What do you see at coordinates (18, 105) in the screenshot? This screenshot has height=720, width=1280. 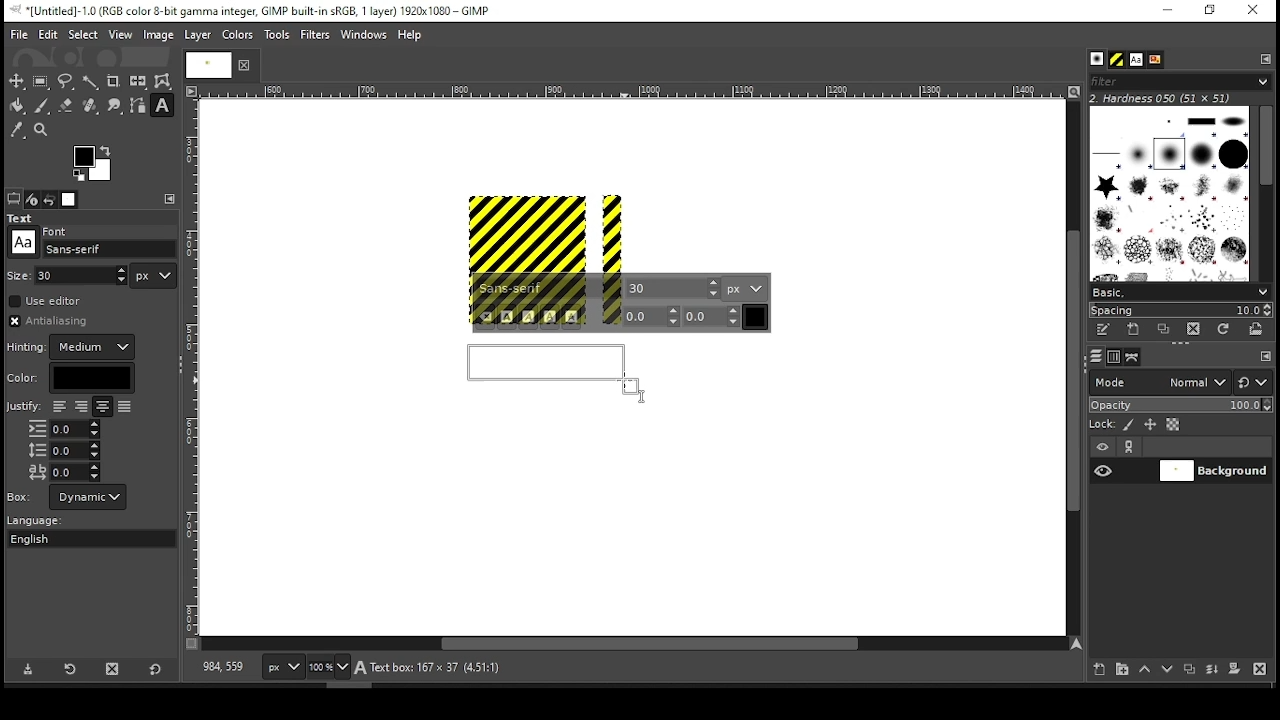 I see `paint bucket tool` at bounding box center [18, 105].